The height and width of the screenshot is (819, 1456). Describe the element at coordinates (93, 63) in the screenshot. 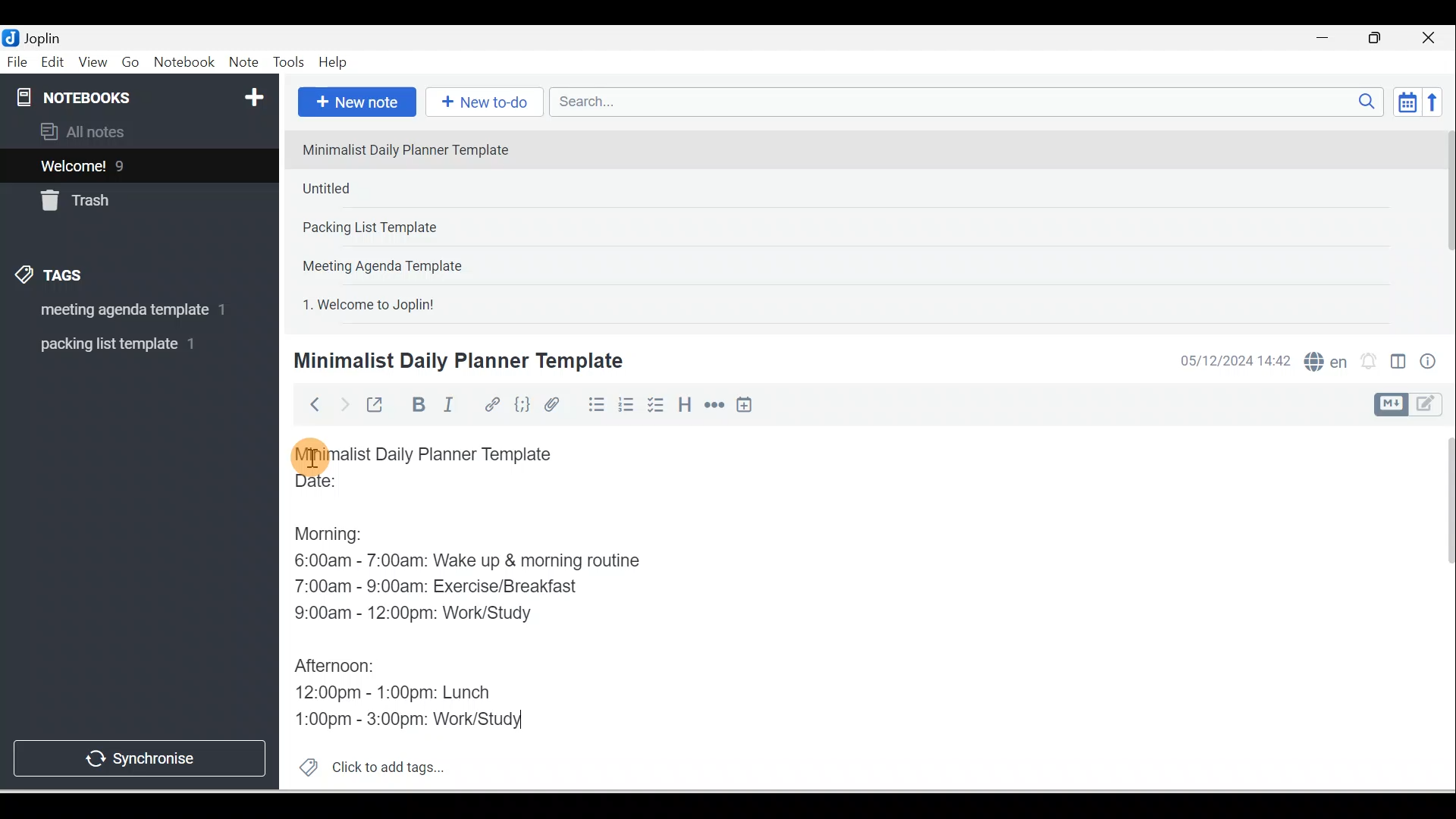

I see `View` at that location.